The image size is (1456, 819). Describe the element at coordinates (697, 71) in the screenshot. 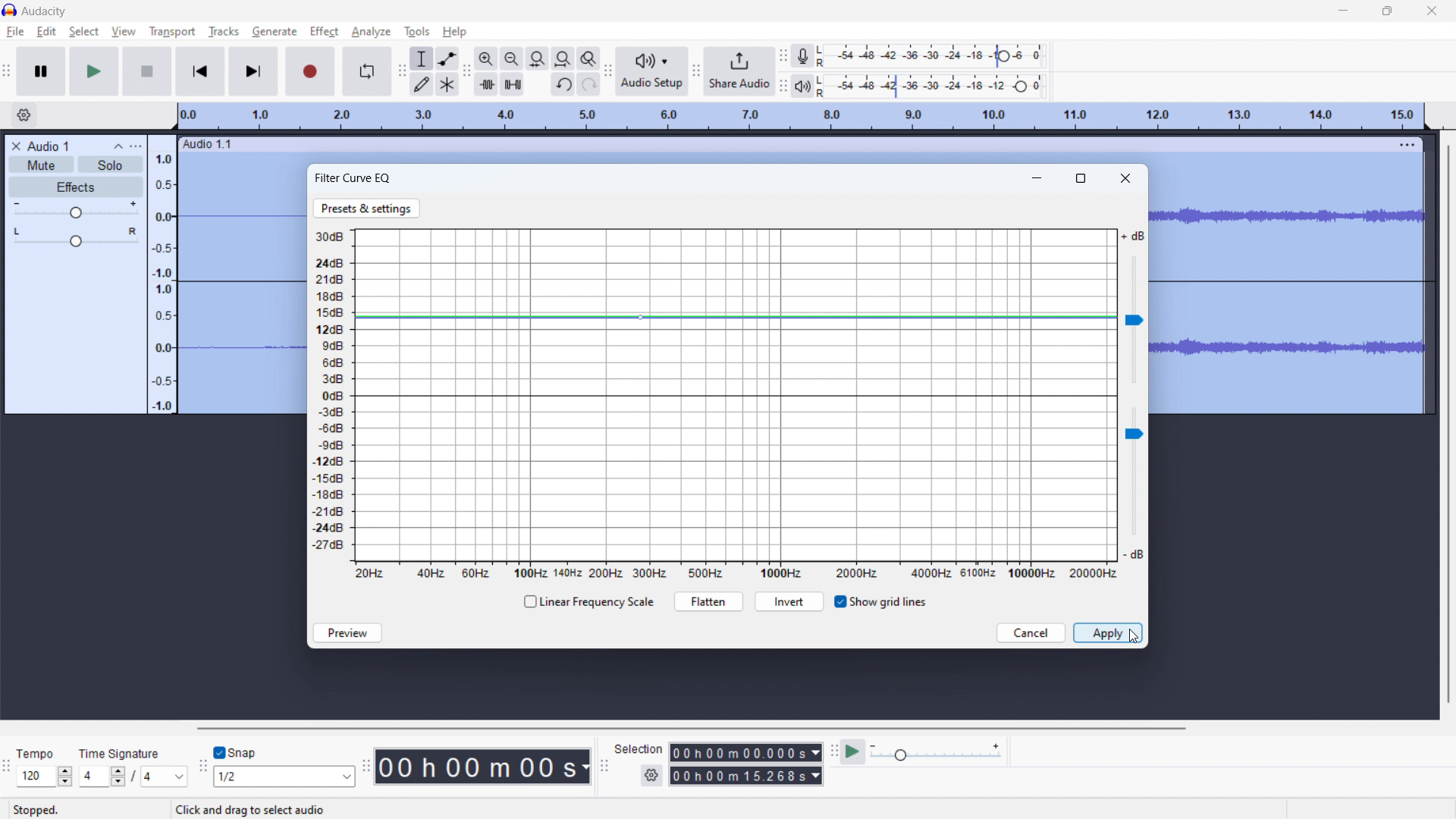

I see `share audio toolbar` at that location.